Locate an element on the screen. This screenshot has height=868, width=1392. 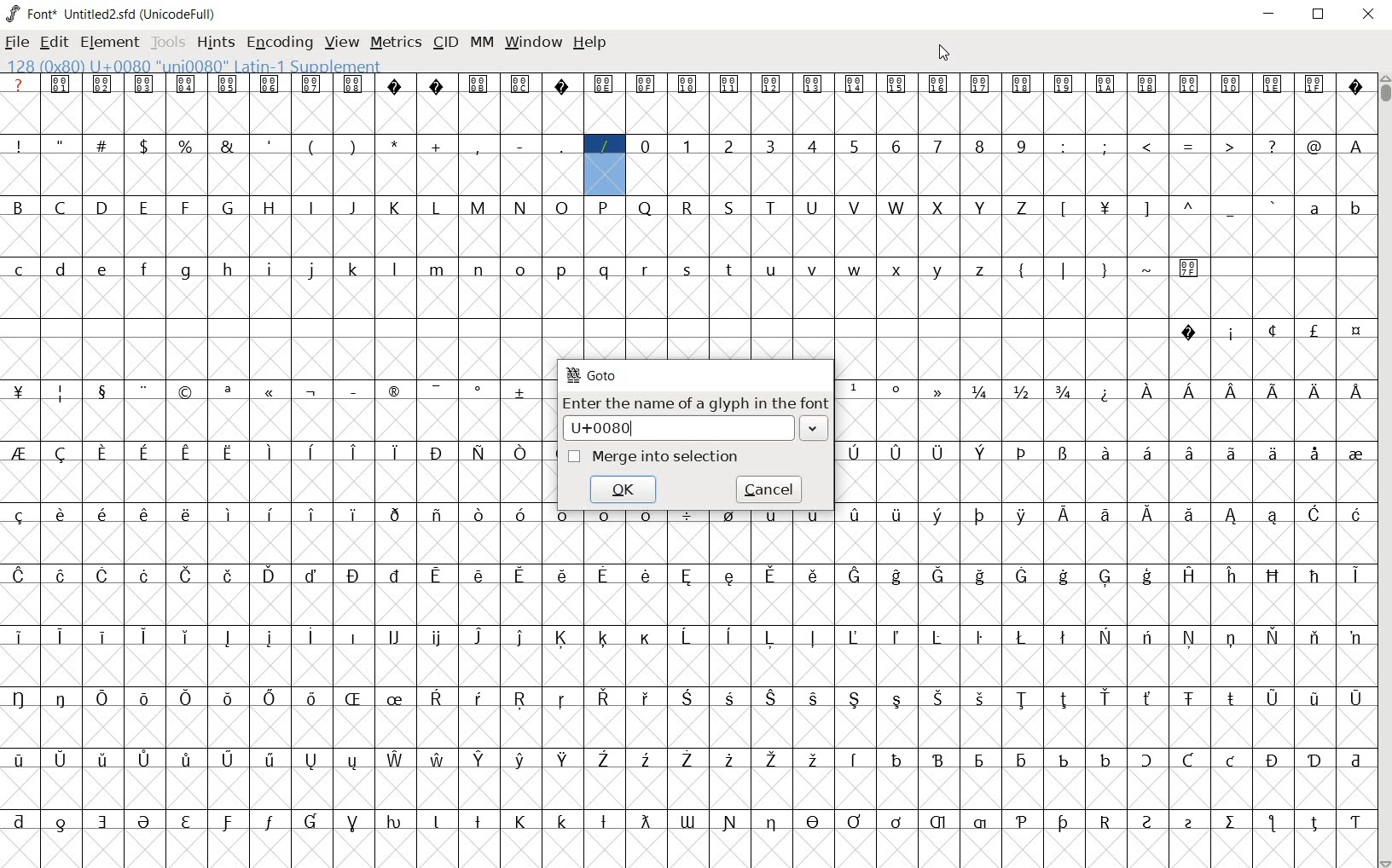
glyph is located at coordinates (1357, 332).